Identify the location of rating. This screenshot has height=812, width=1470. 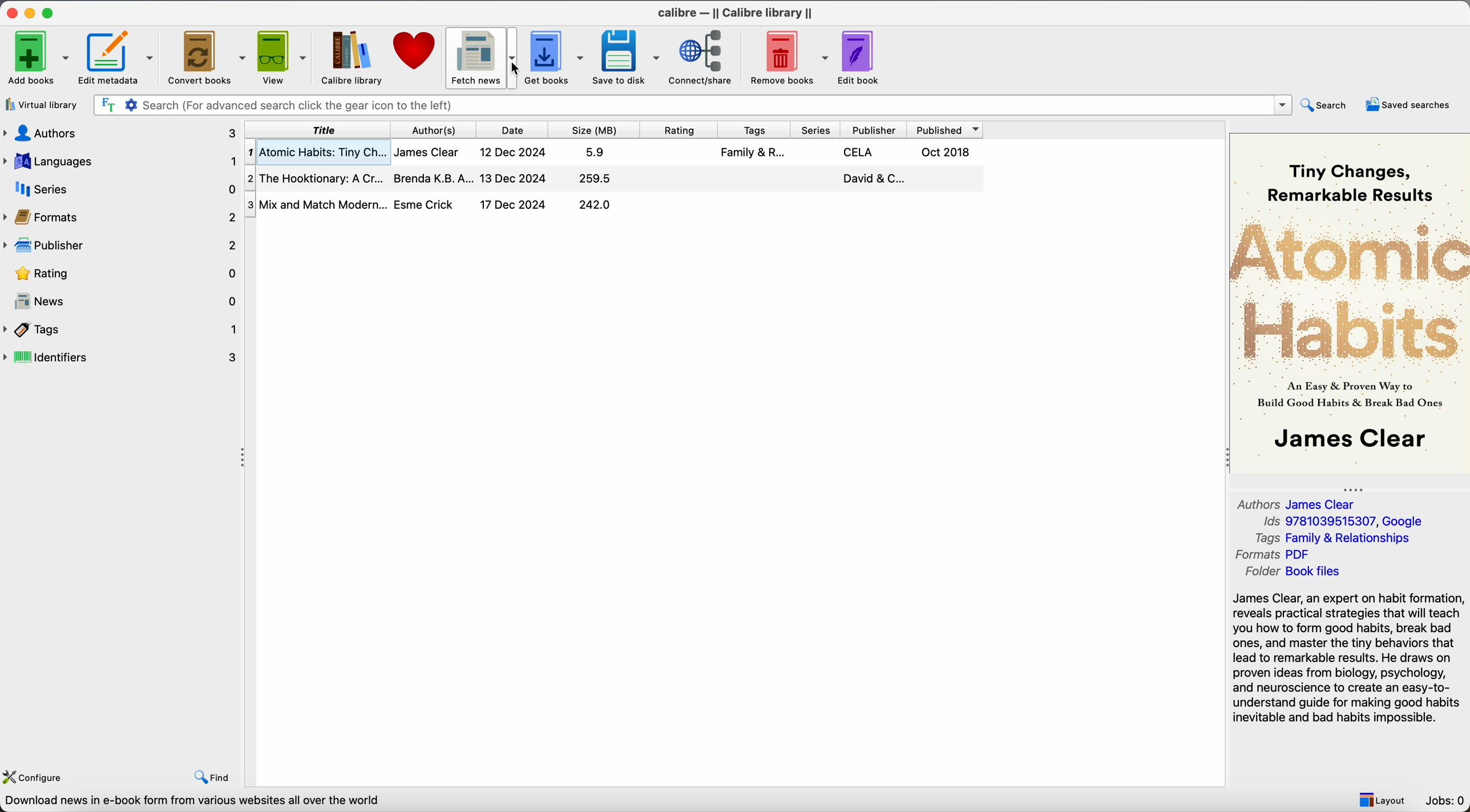
(681, 130).